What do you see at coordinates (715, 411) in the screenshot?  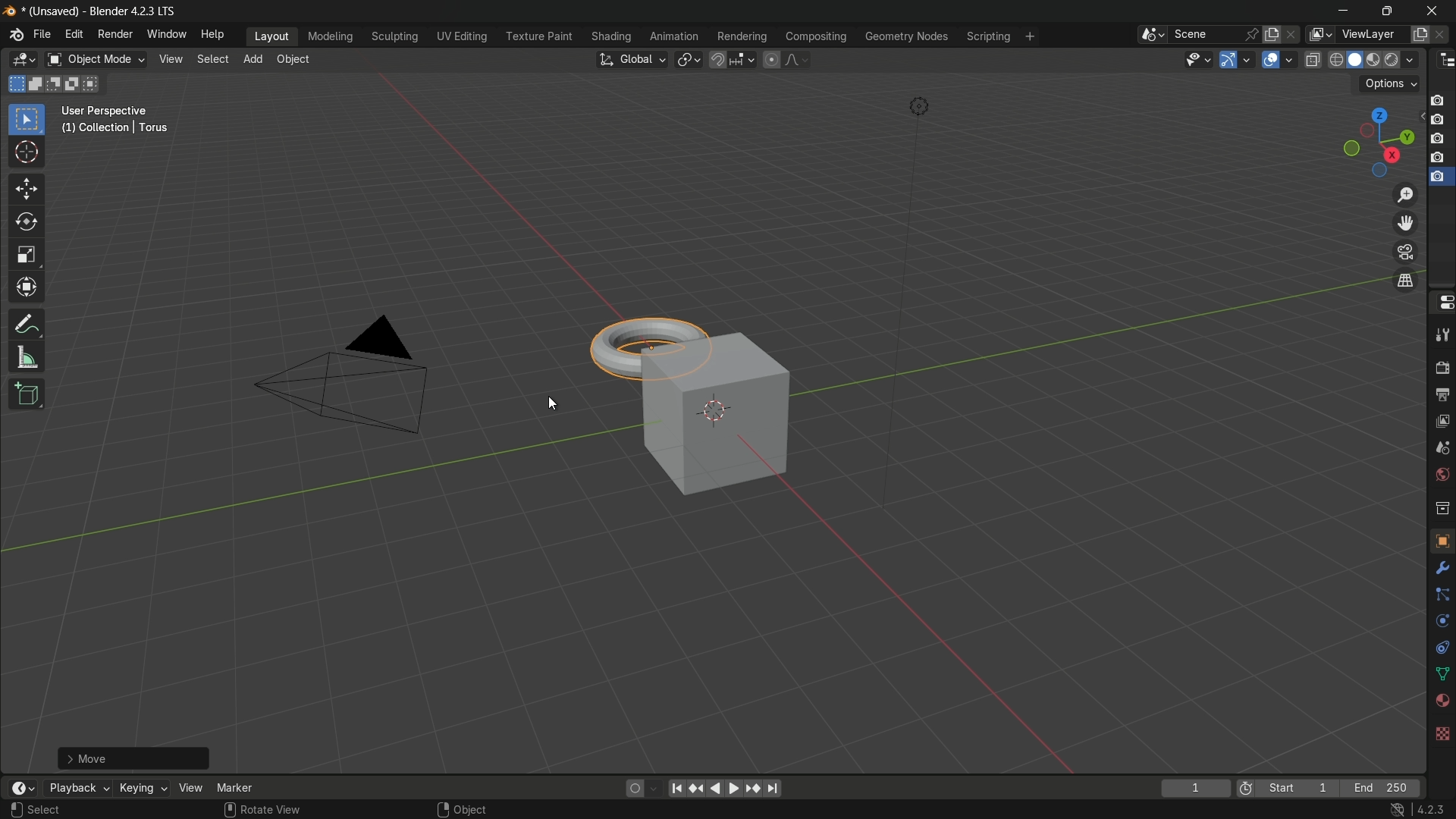 I see `Center point of view` at bounding box center [715, 411].